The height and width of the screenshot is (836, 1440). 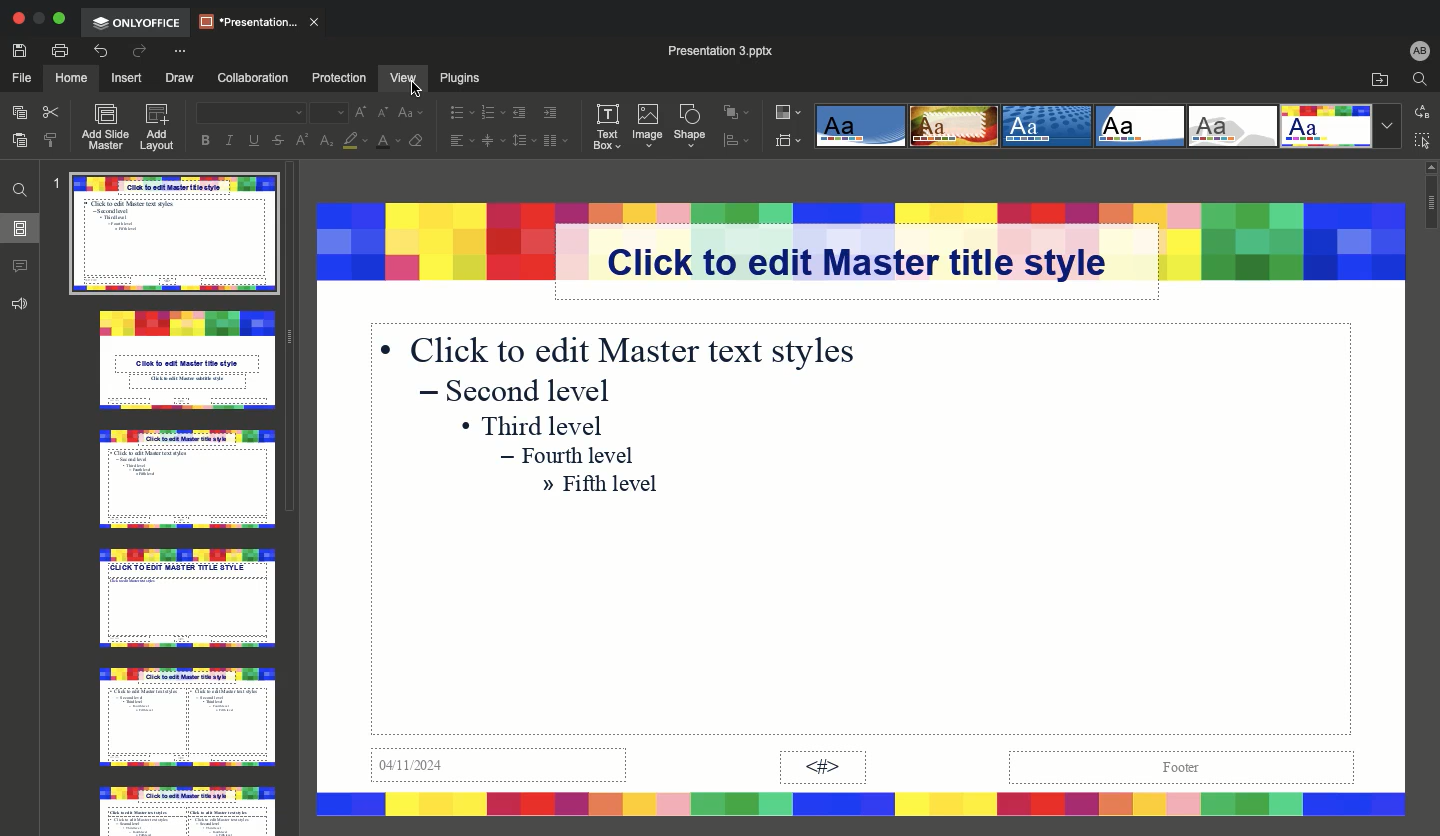 I want to click on Arrange shape, so click(x=738, y=111).